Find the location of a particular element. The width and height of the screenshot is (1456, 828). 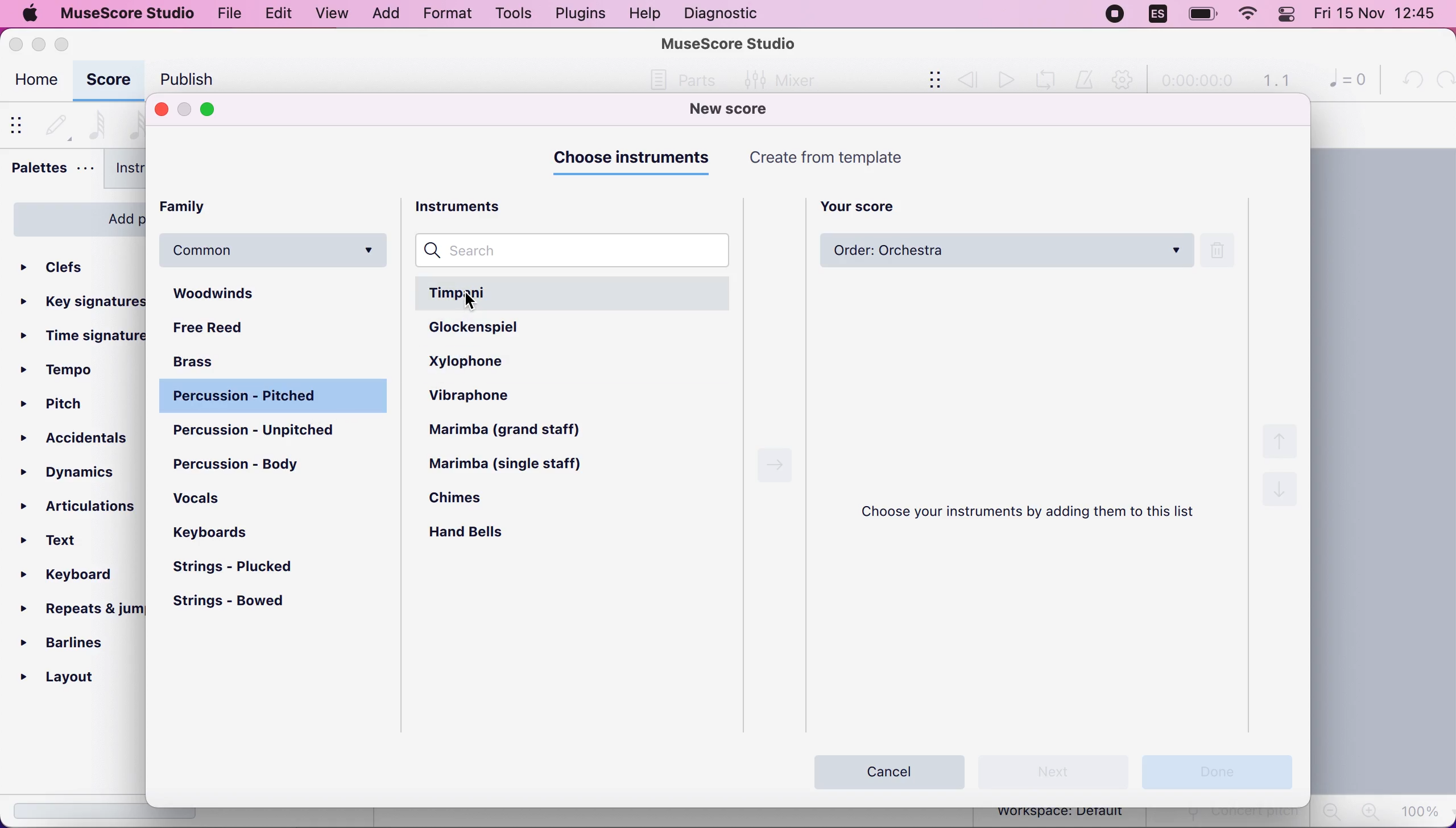

hand bells is located at coordinates (478, 534).